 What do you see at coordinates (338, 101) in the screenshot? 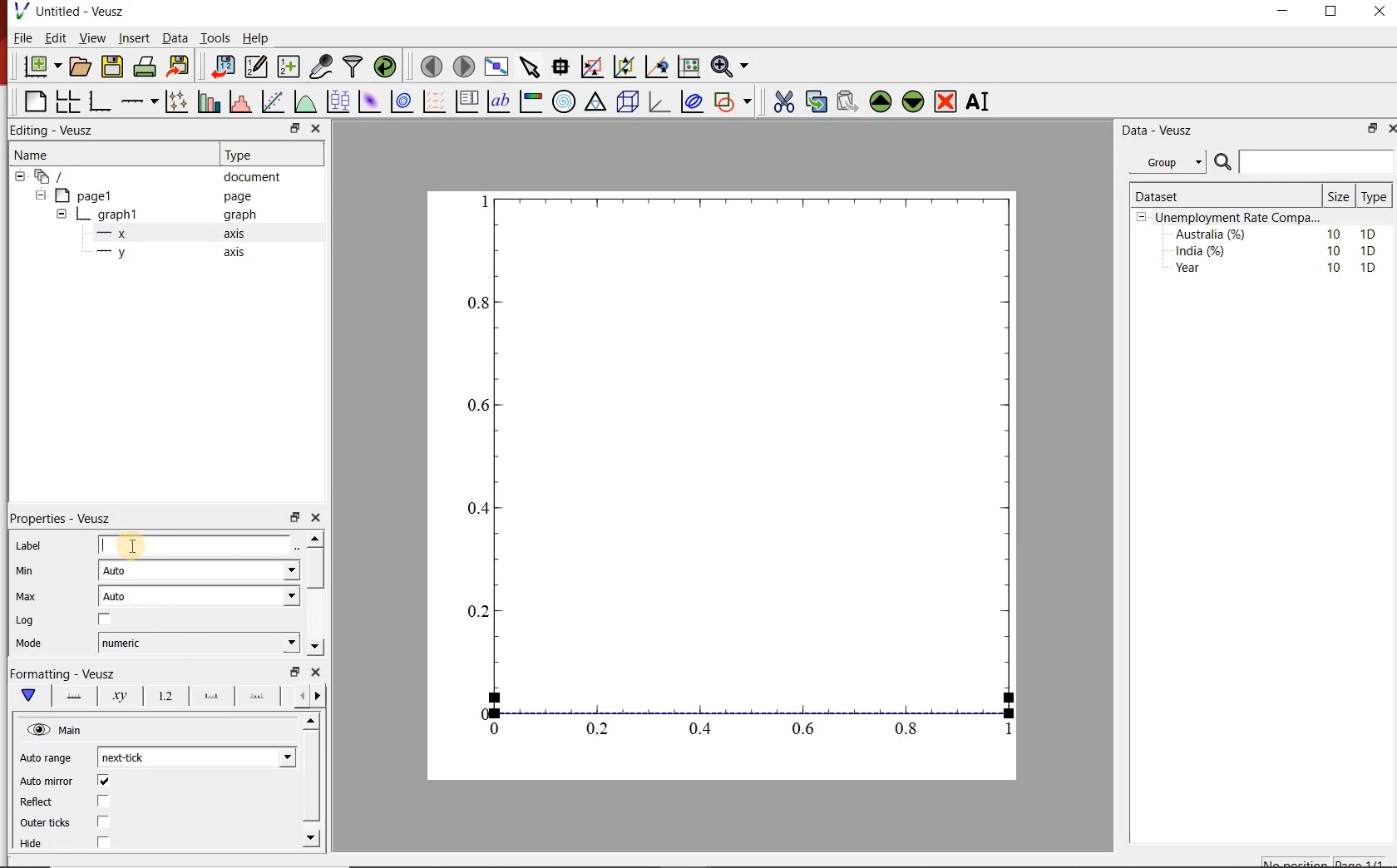
I see `plot box plots` at bounding box center [338, 101].